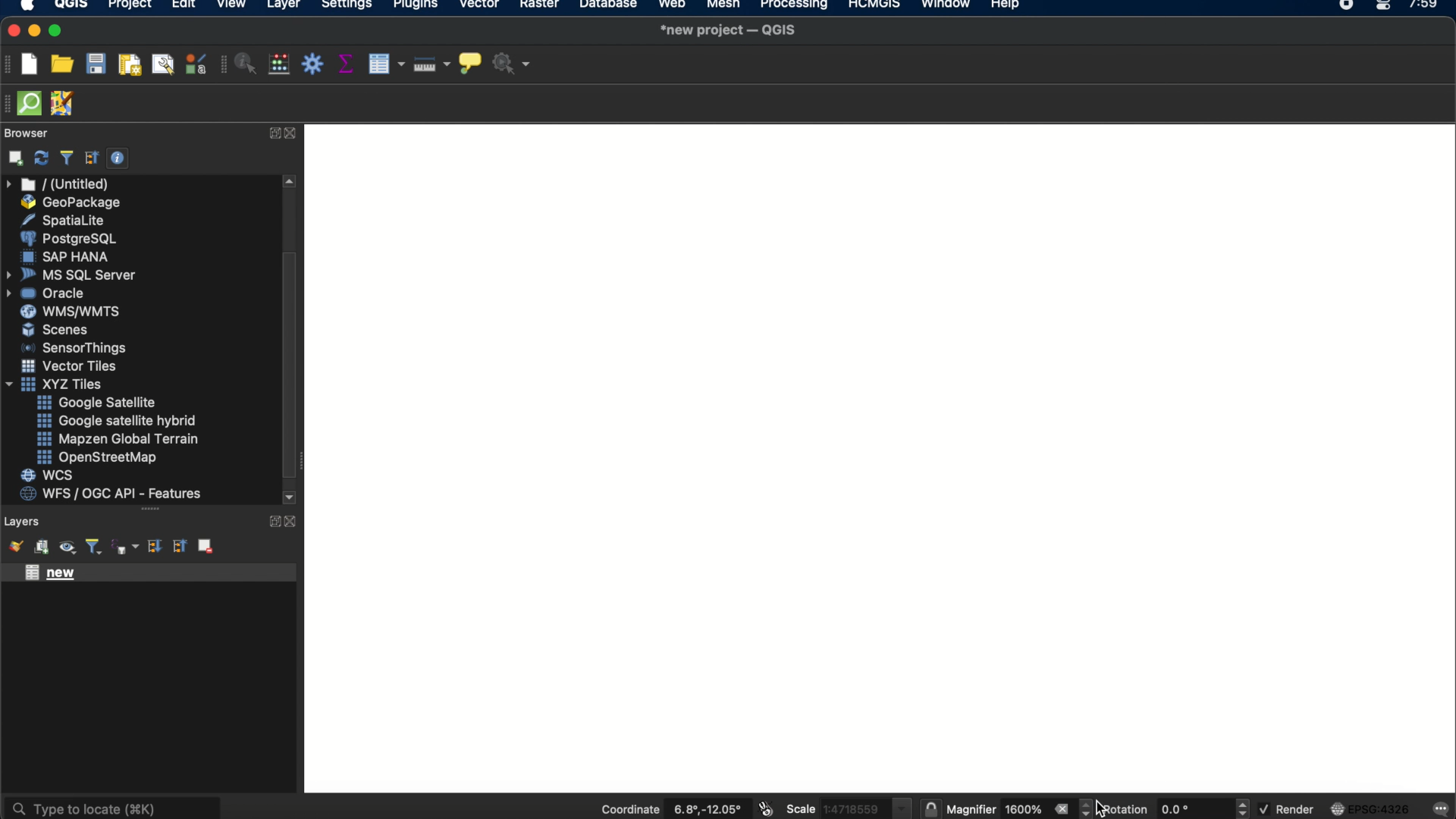 Image resolution: width=1456 pixels, height=819 pixels. What do you see at coordinates (1166, 807) in the screenshot?
I see `Rotation` at bounding box center [1166, 807].